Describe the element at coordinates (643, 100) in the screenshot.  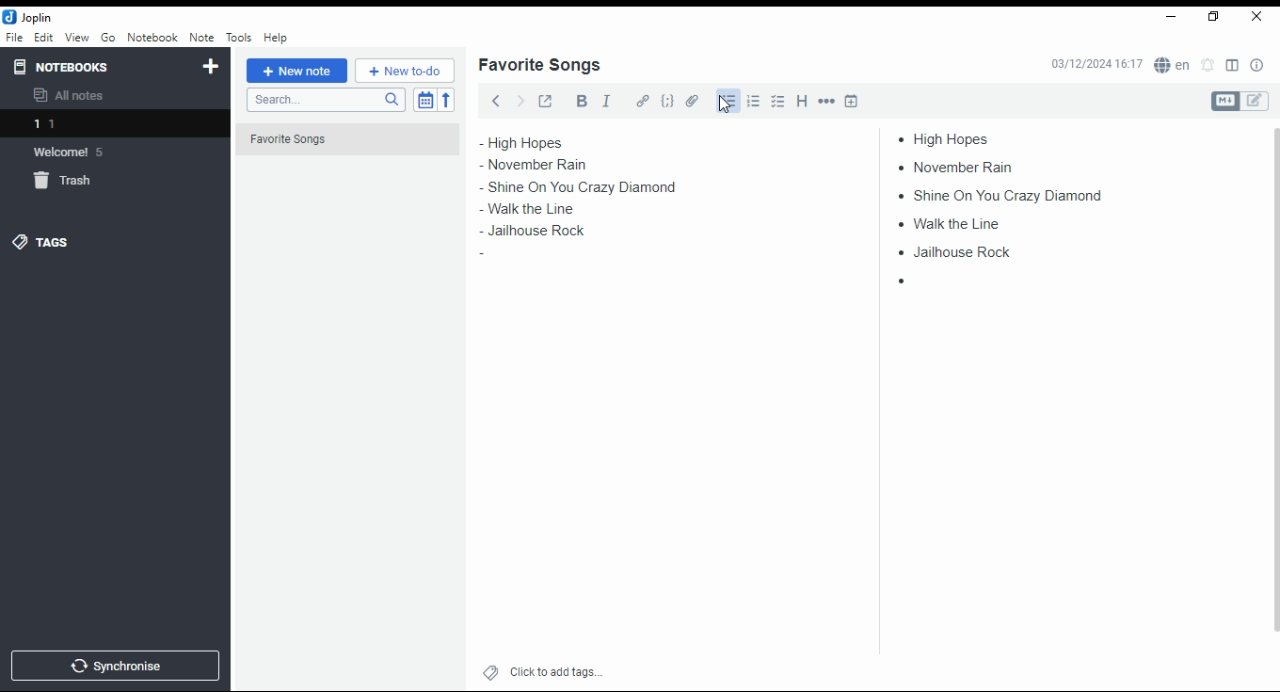
I see `hyperlink` at that location.